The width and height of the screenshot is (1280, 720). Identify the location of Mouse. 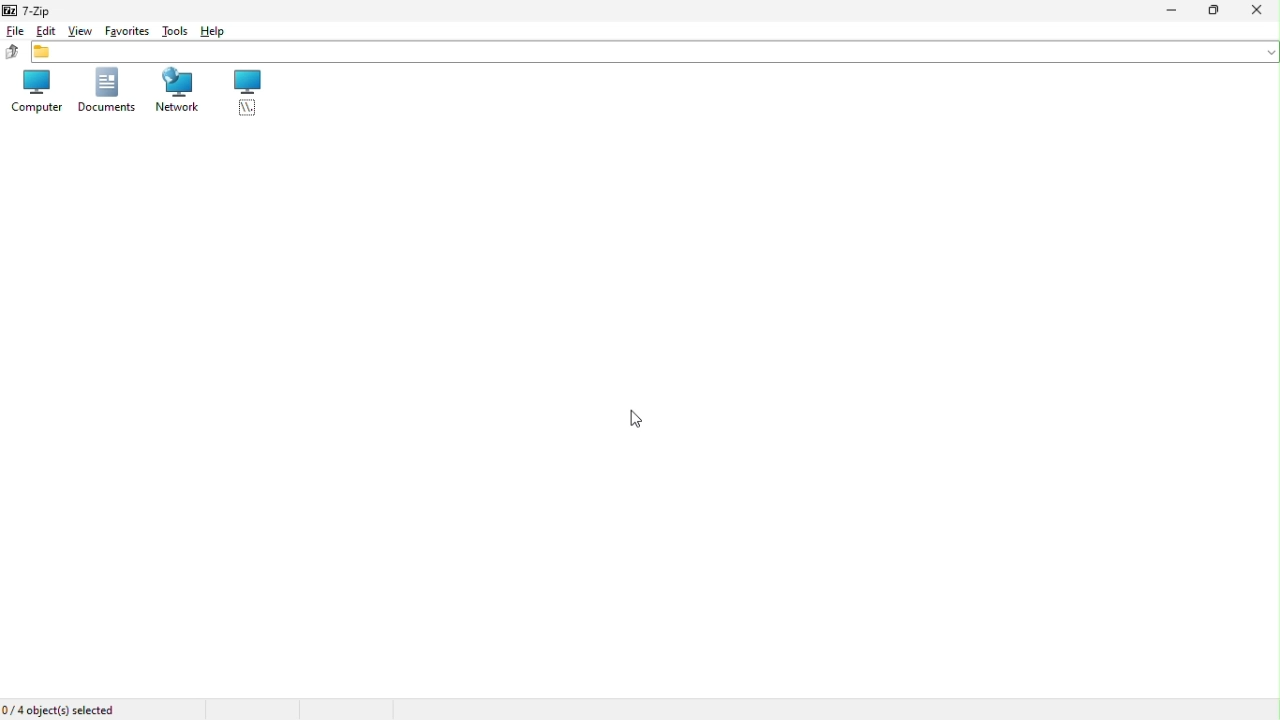
(643, 416).